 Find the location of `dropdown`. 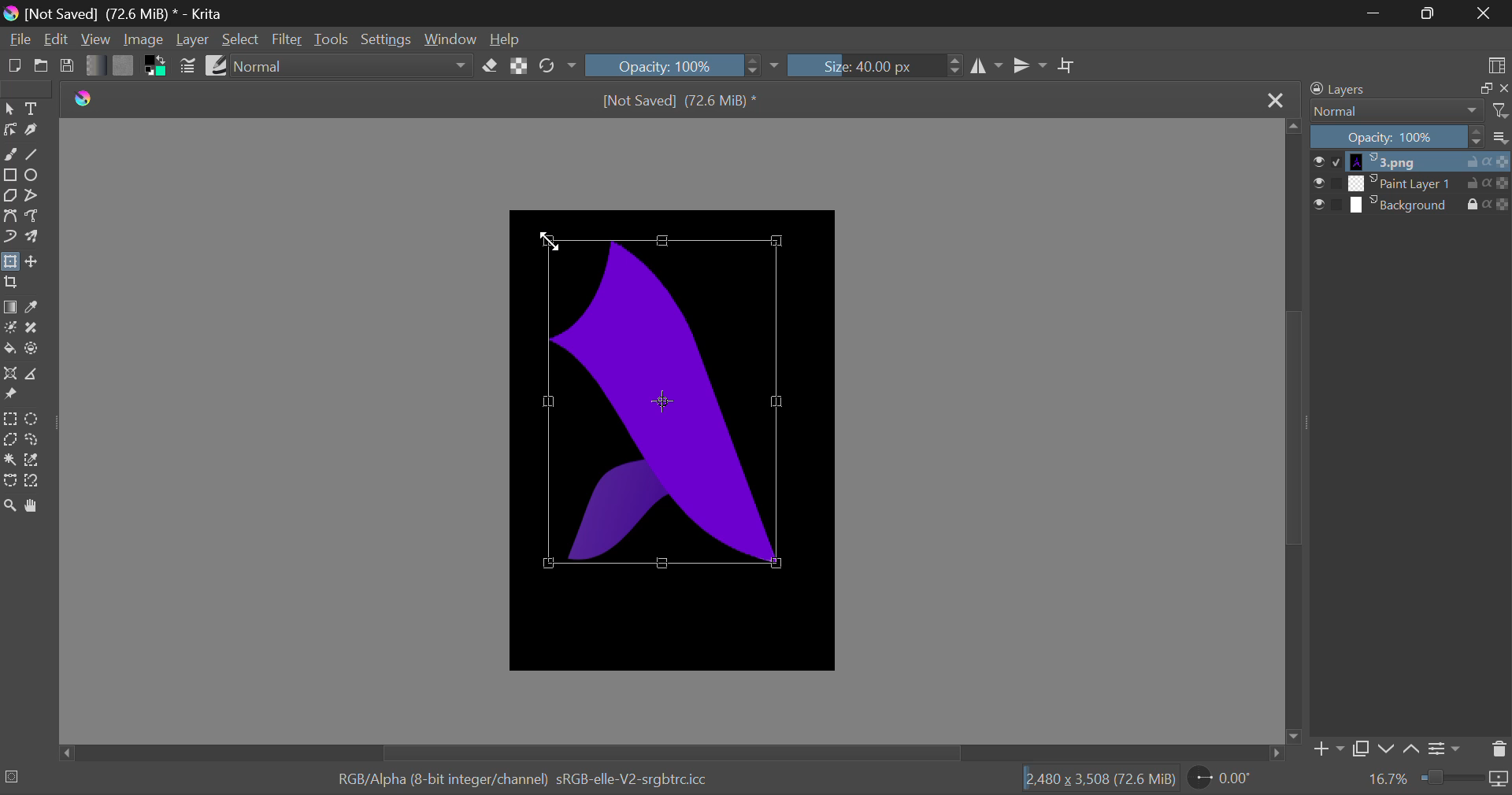

dropdown is located at coordinates (775, 65).